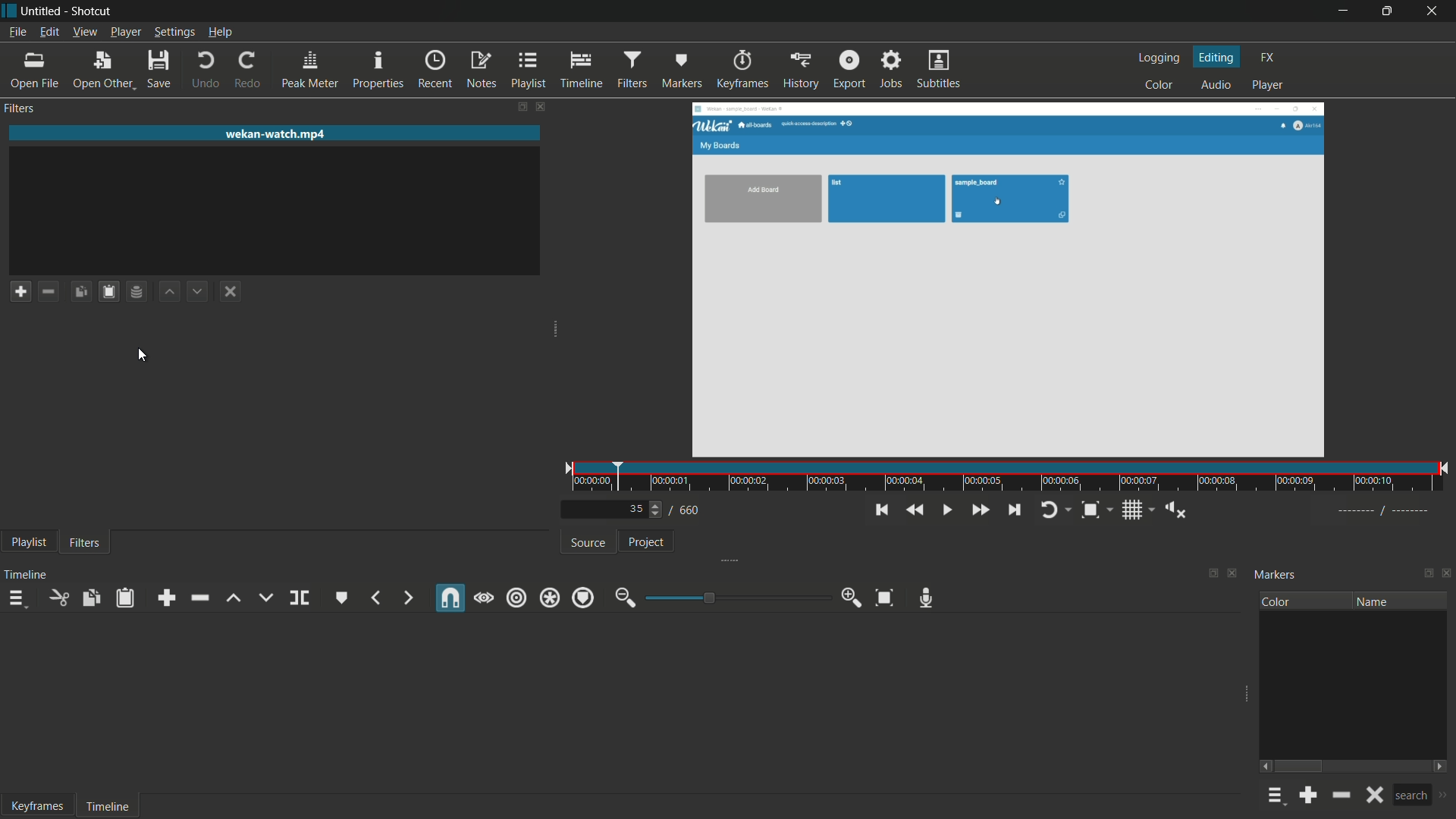  What do you see at coordinates (1266, 58) in the screenshot?
I see `fx` at bounding box center [1266, 58].